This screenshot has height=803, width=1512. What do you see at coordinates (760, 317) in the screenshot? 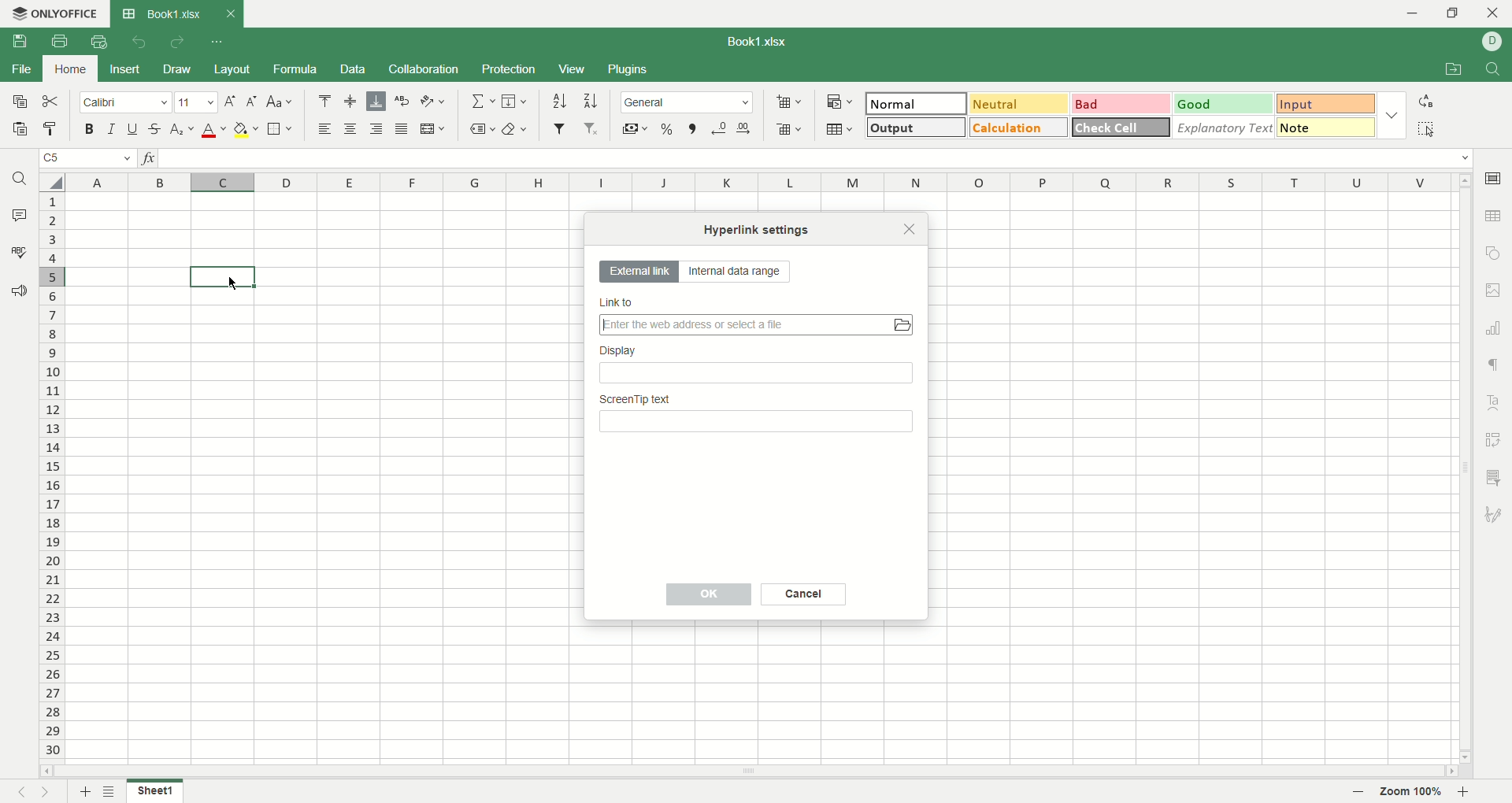
I see `link to` at bounding box center [760, 317].